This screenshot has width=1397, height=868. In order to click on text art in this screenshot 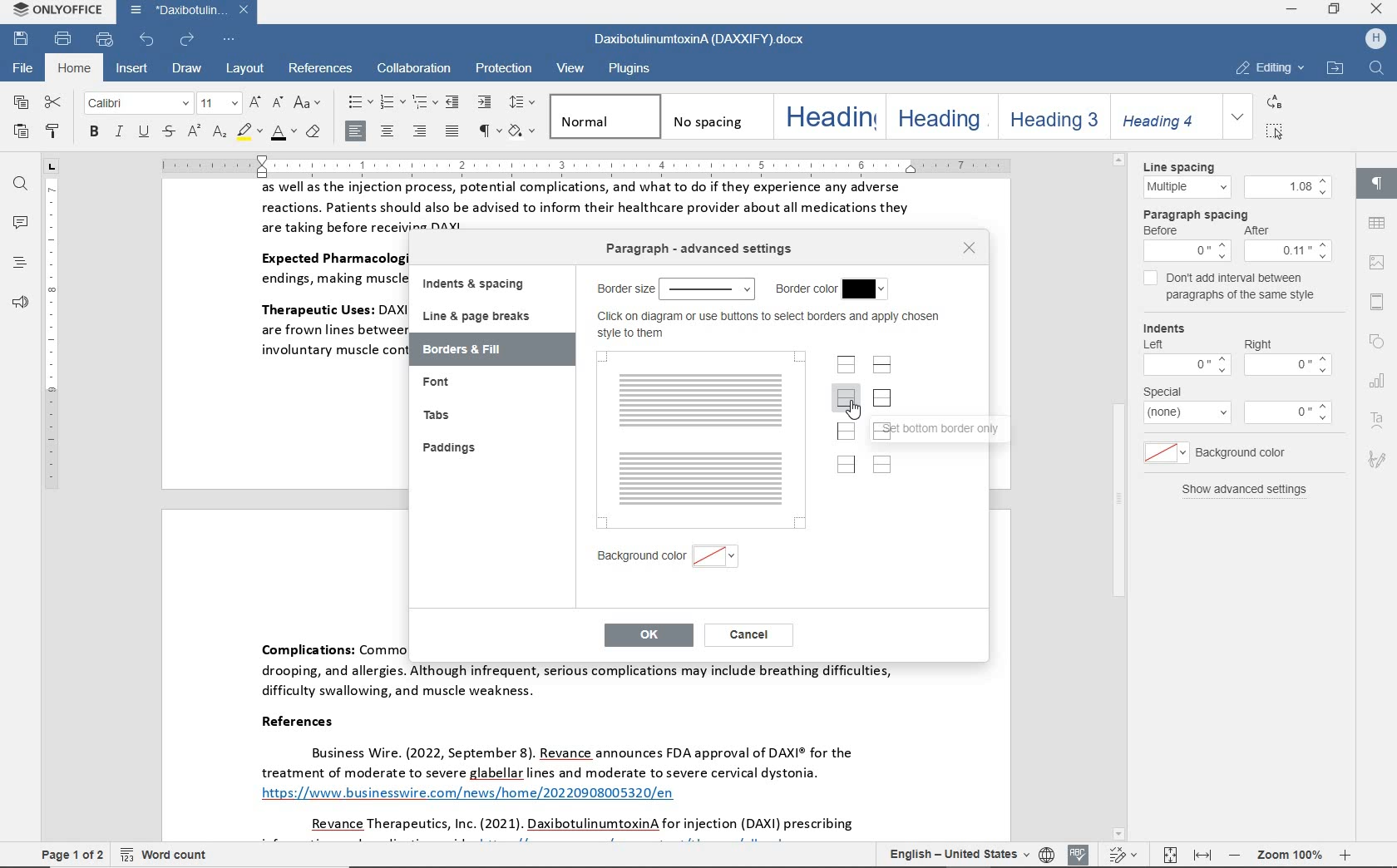, I will do `click(1379, 422)`.